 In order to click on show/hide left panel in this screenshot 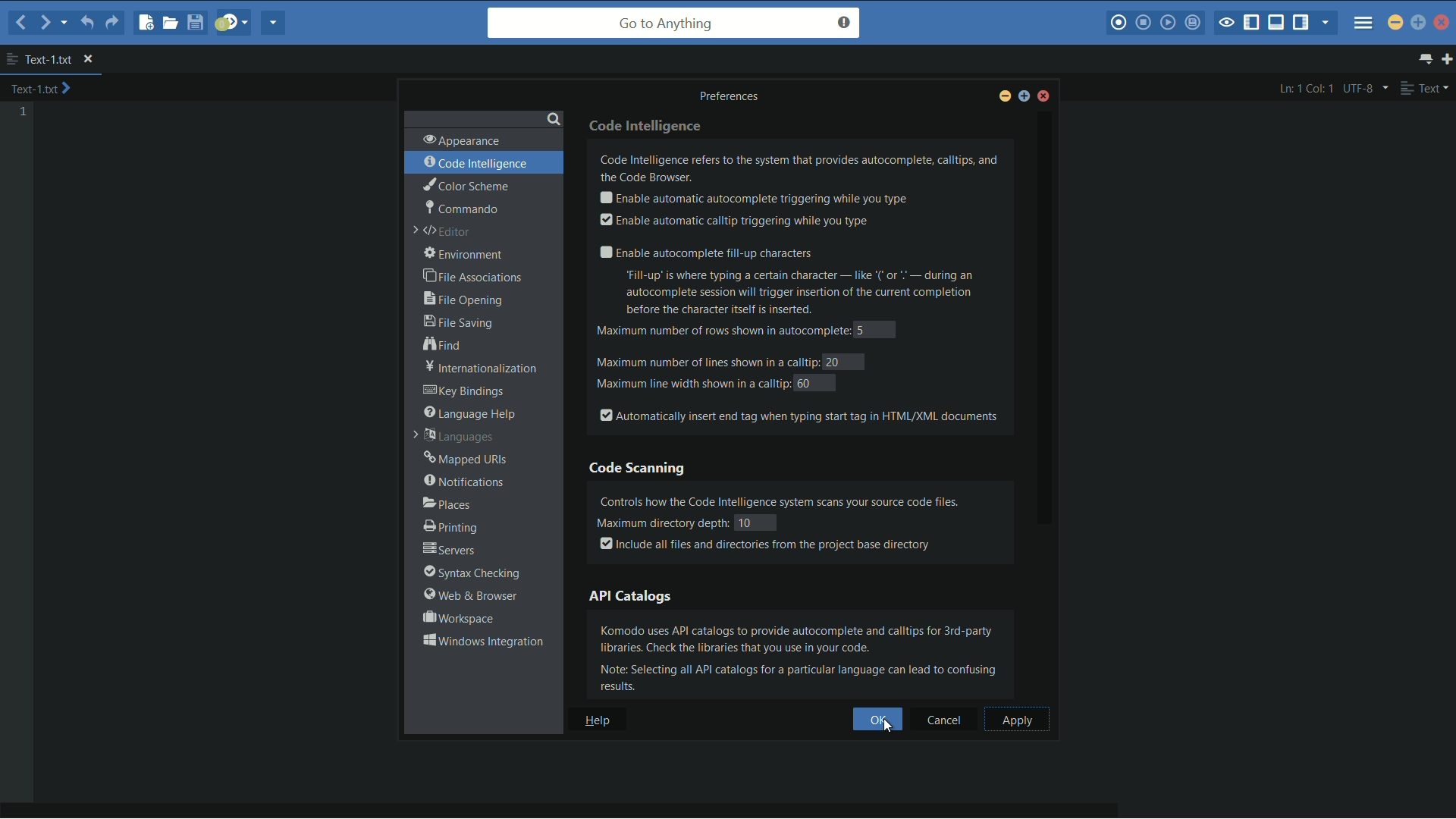, I will do `click(1252, 24)`.